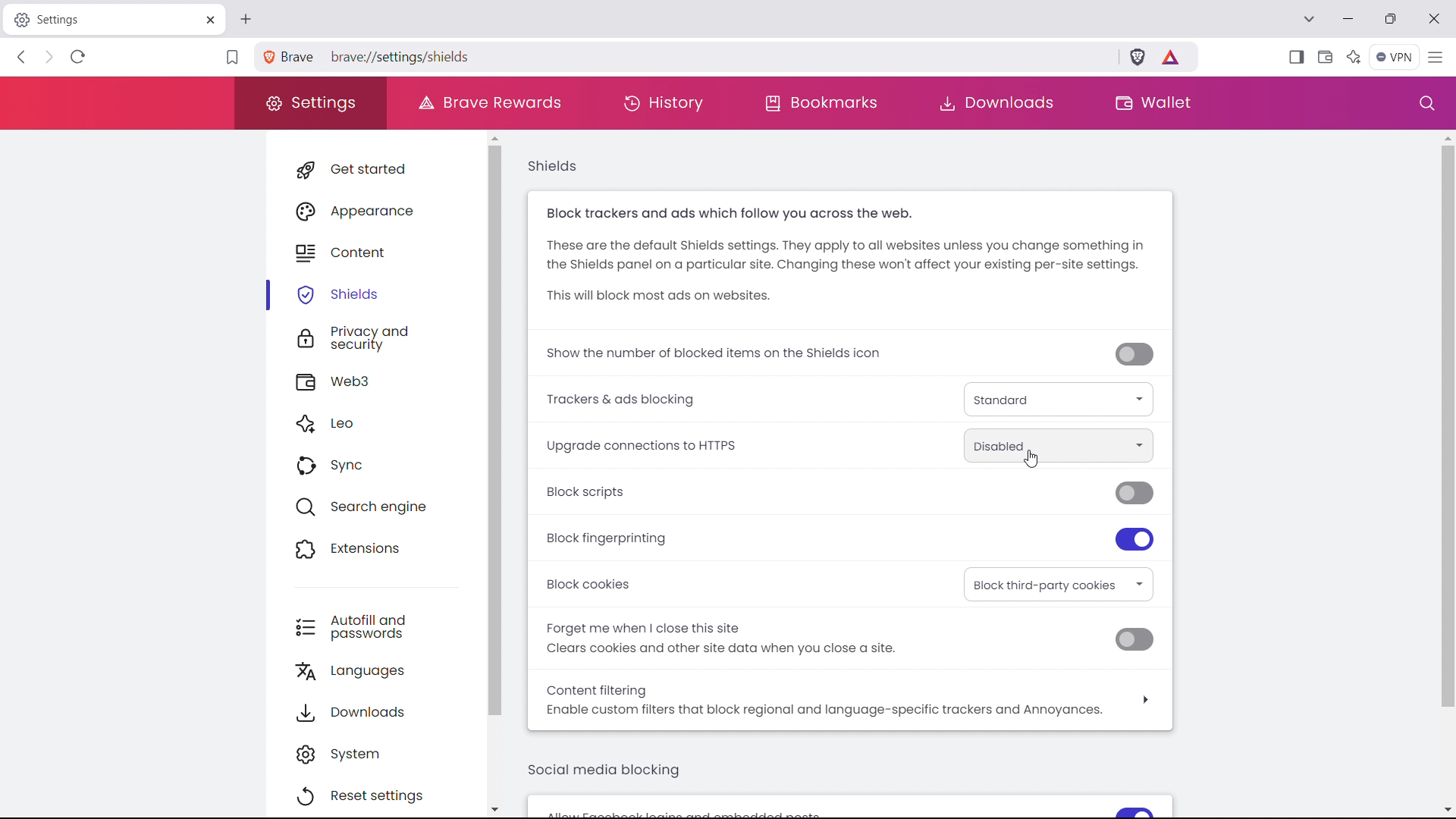  I want to click on settings, so click(309, 104).